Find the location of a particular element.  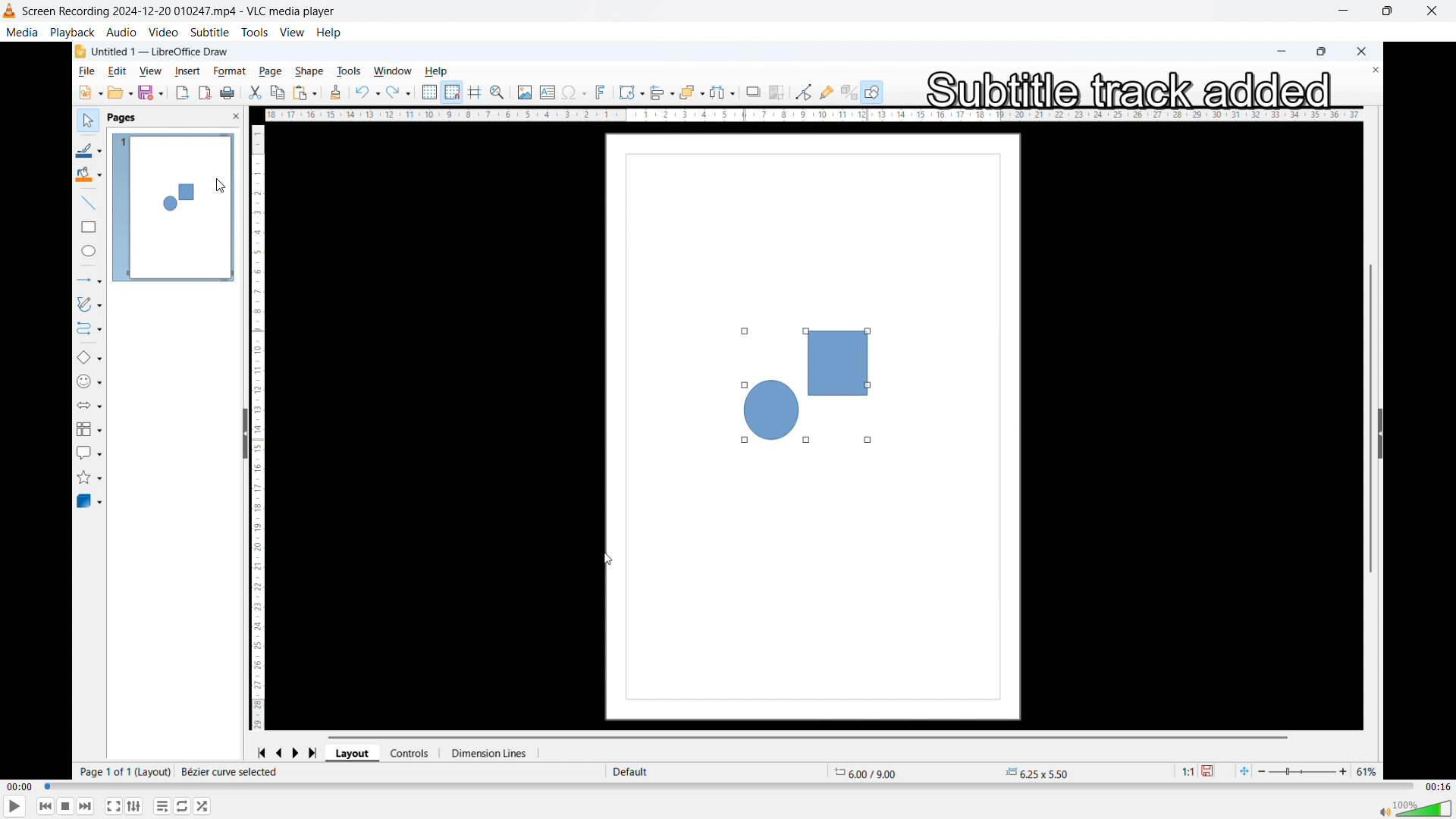

ruler is located at coordinates (814, 115).